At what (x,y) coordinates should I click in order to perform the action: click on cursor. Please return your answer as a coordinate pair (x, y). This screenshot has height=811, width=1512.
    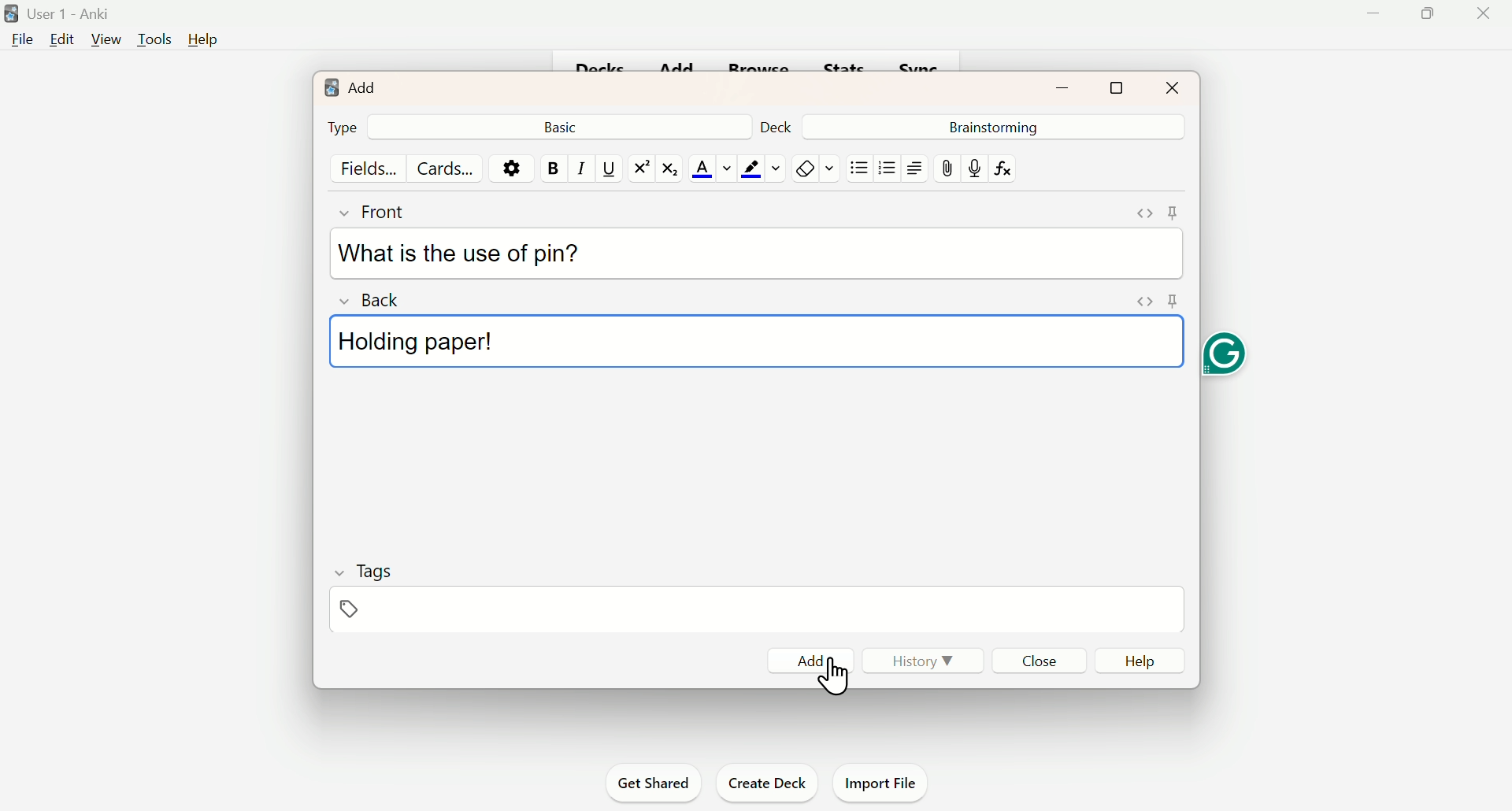
    Looking at the image, I should click on (835, 680).